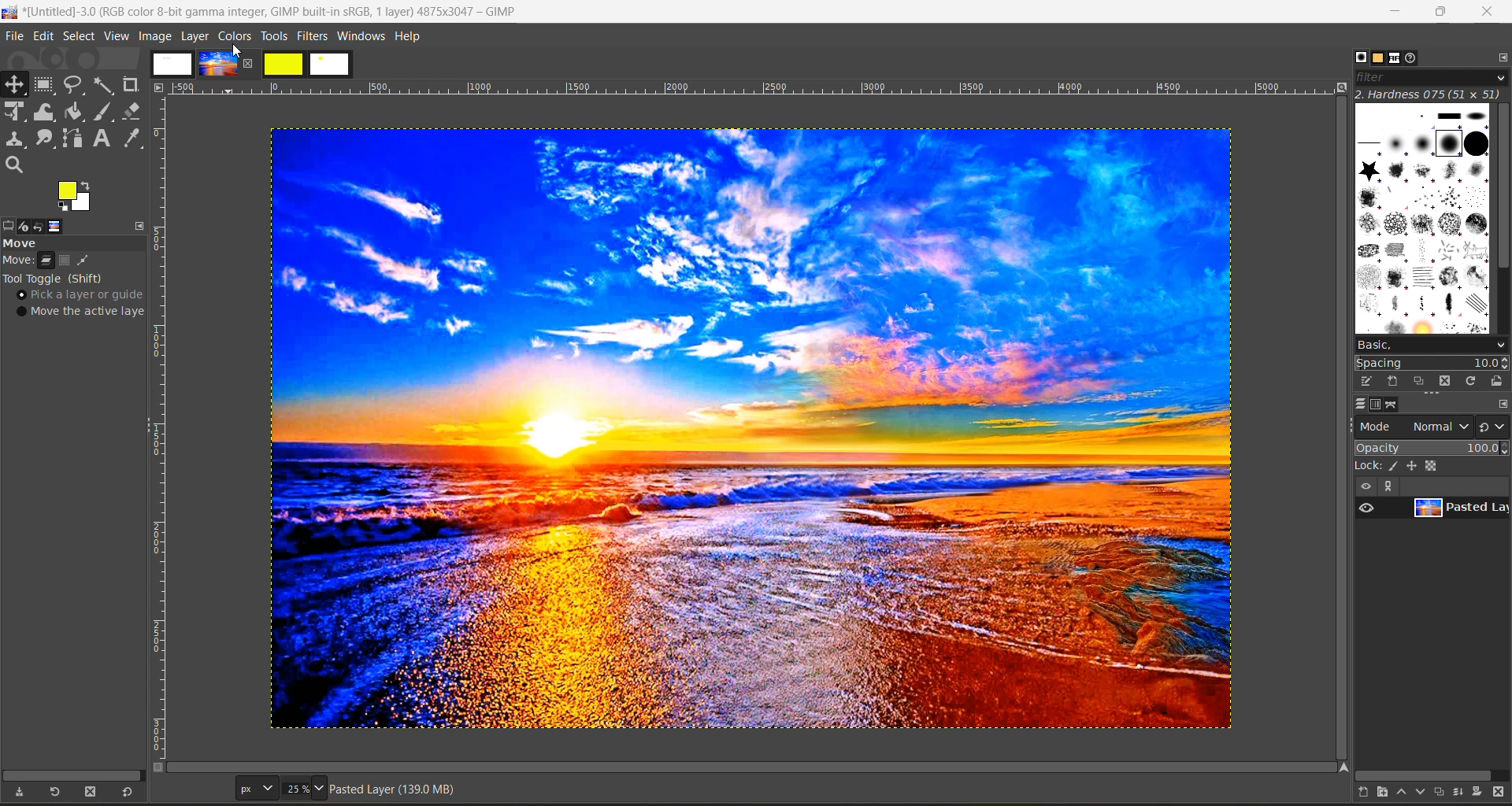 The image size is (1512, 806). Describe the element at coordinates (79, 127) in the screenshot. I see `tools` at that location.